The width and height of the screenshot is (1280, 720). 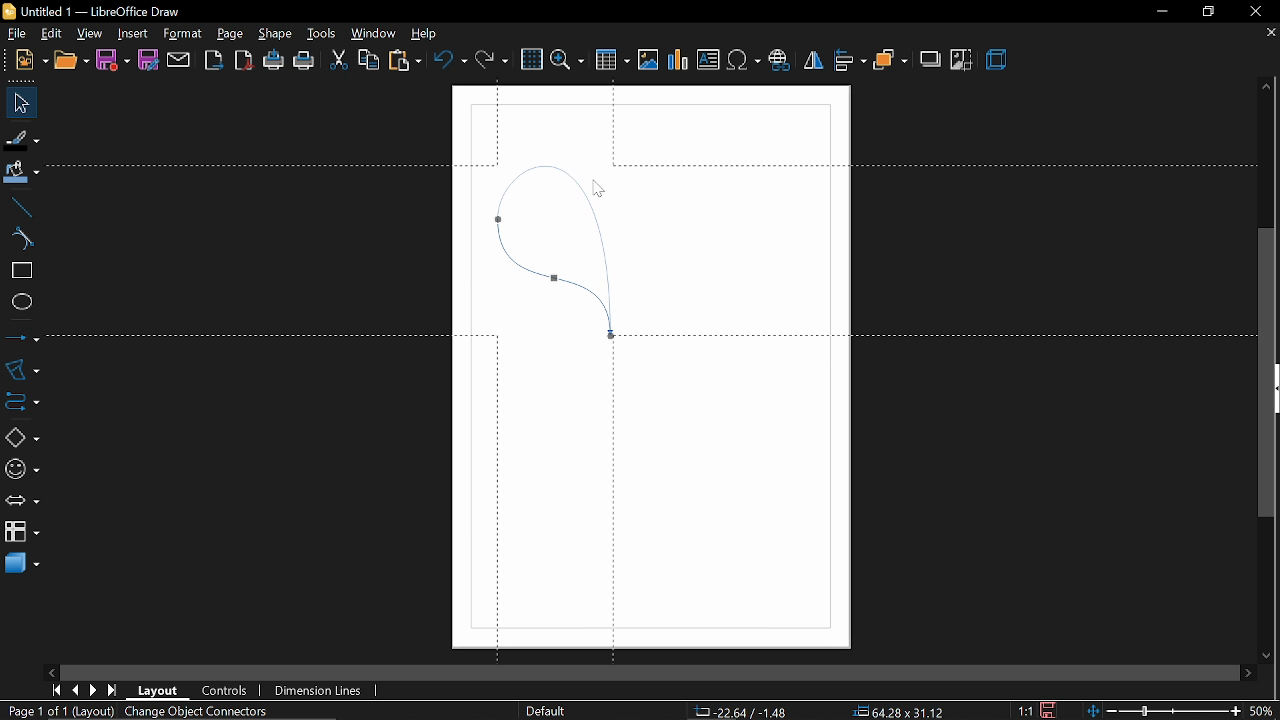 What do you see at coordinates (319, 33) in the screenshot?
I see `tools` at bounding box center [319, 33].